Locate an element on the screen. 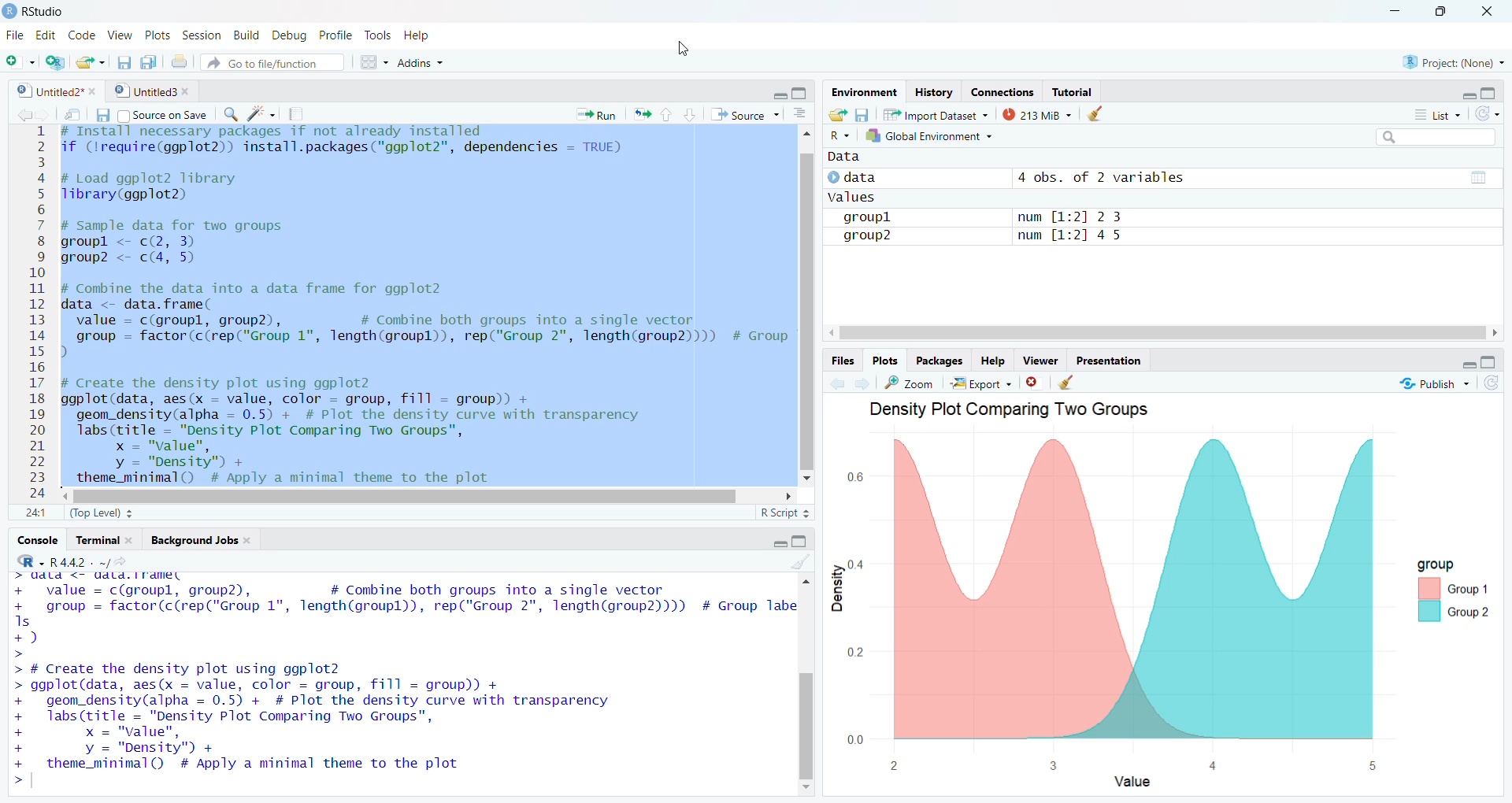  list is located at coordinates (1429, 115).